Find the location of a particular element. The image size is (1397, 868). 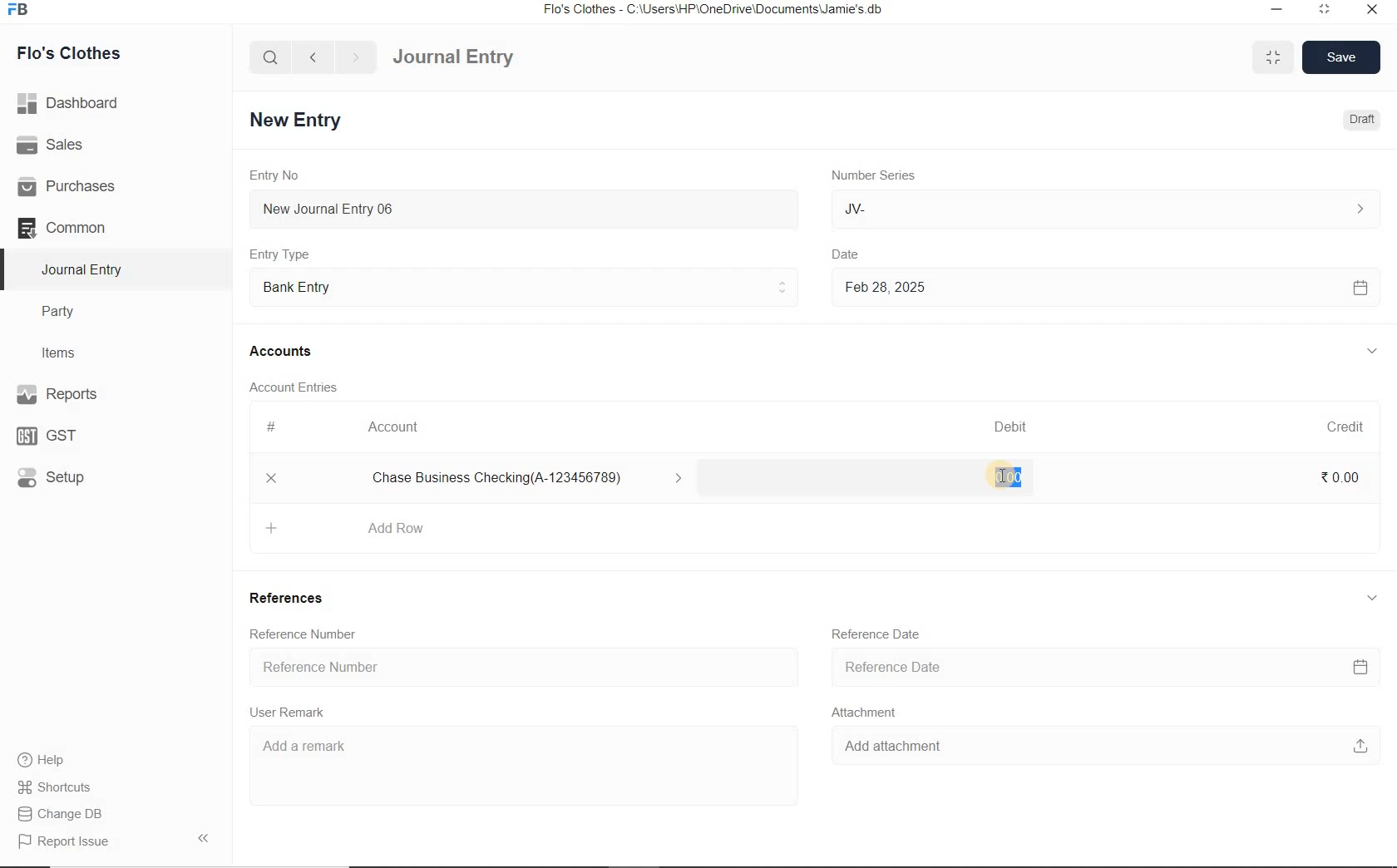

Change DB is located at coordinates (62, 812).